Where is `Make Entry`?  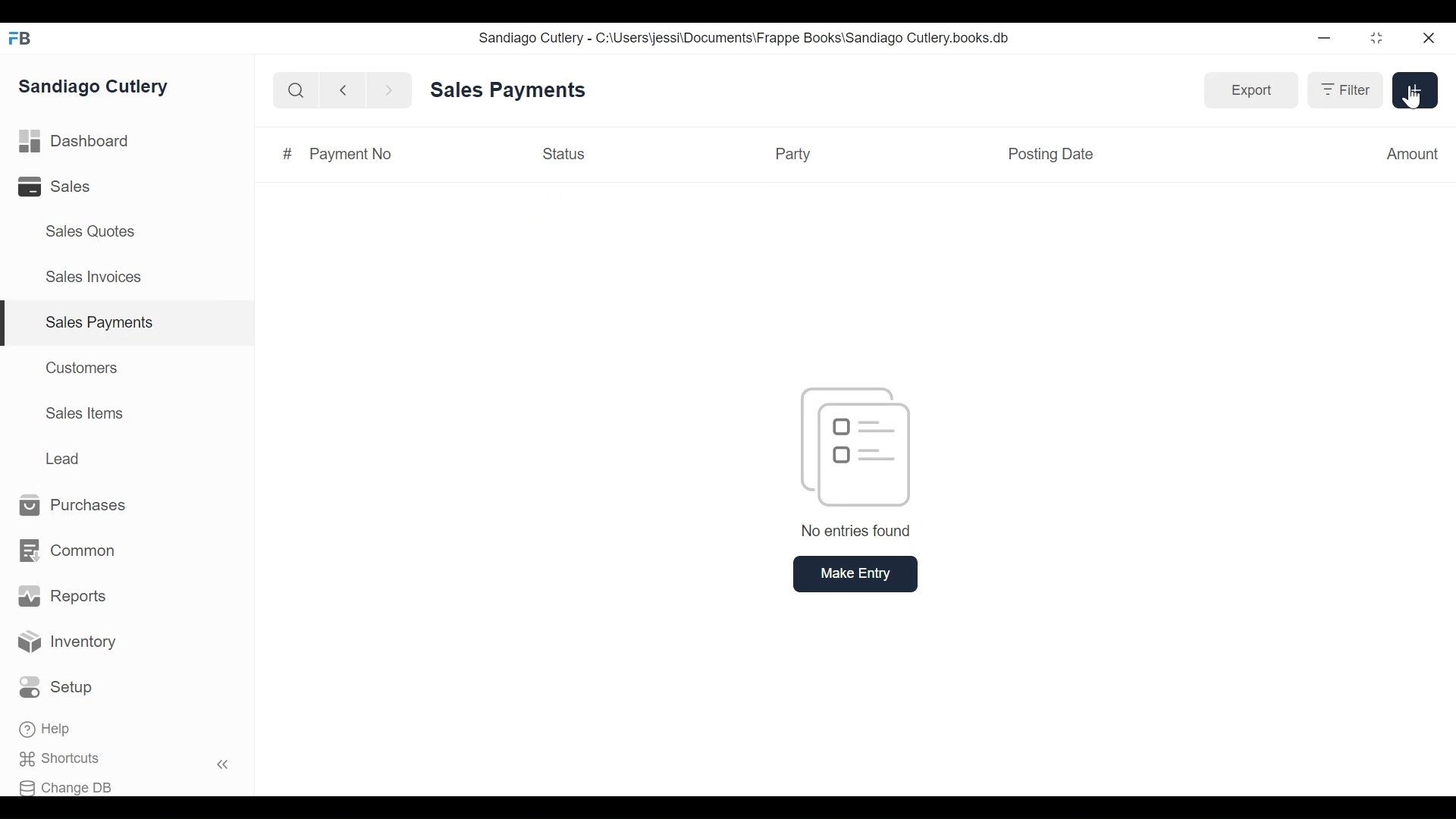
Make Entry is located at coordinates (858, 574).